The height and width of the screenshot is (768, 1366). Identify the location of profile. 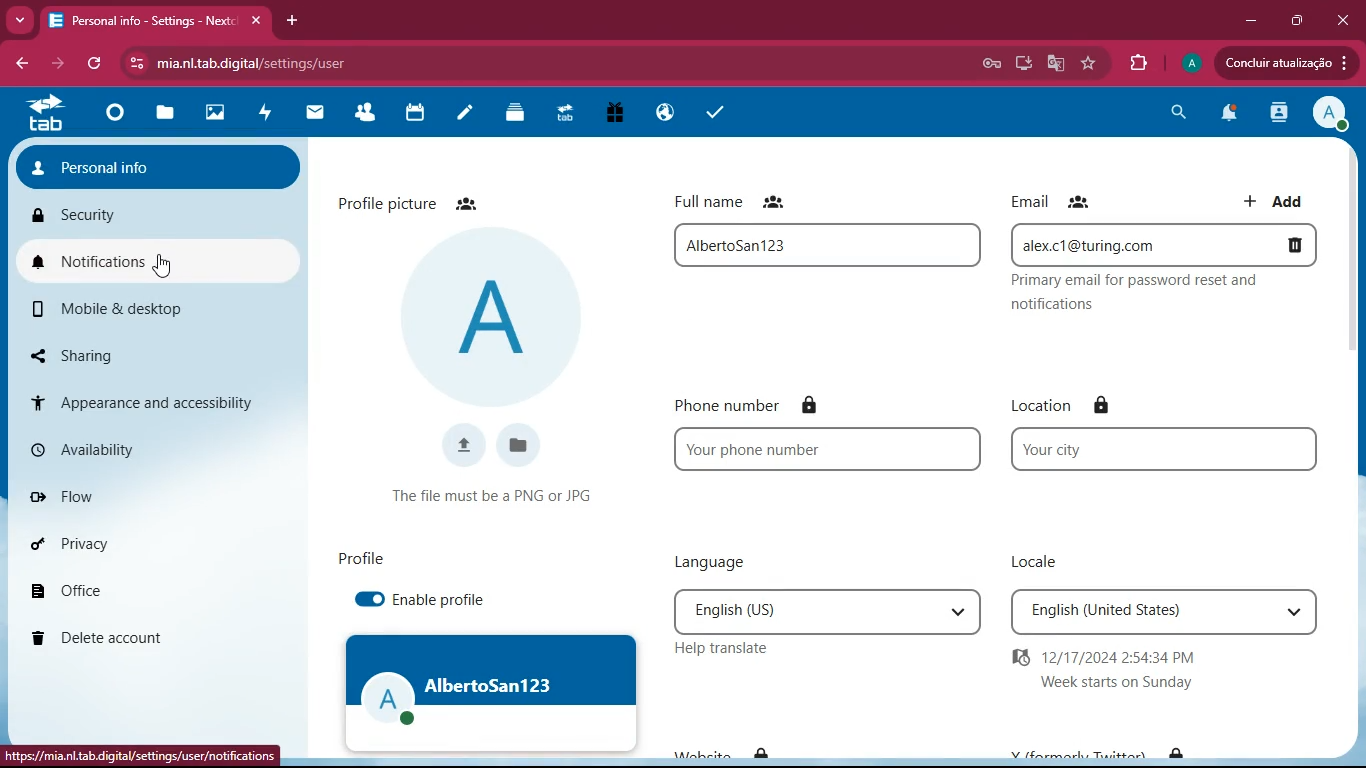
(489, 691).